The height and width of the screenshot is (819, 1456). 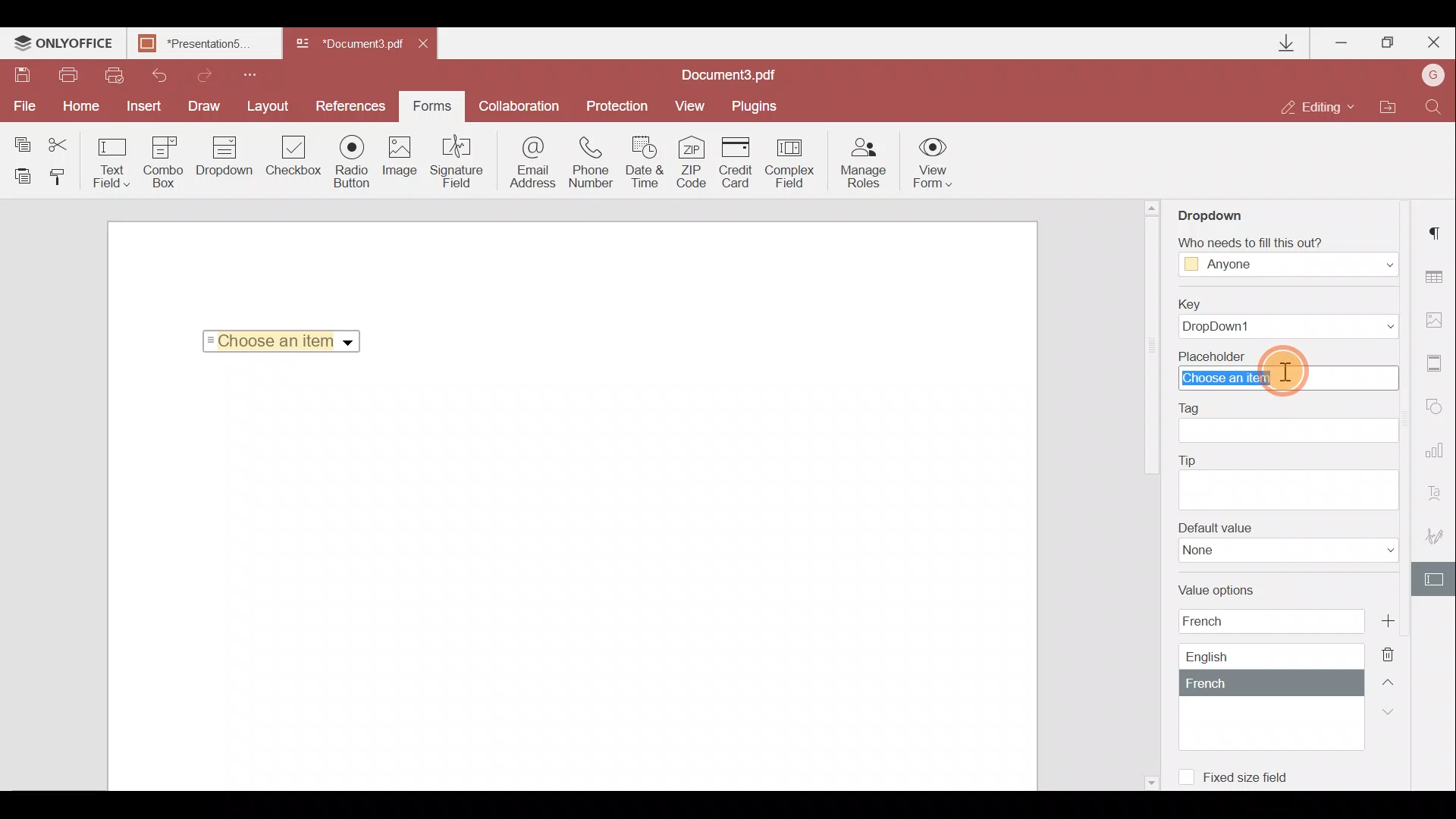 What do you see at coordinates (291, 158) in the screenshot?
I see `Checkbox` at bounding box center [291, 158].